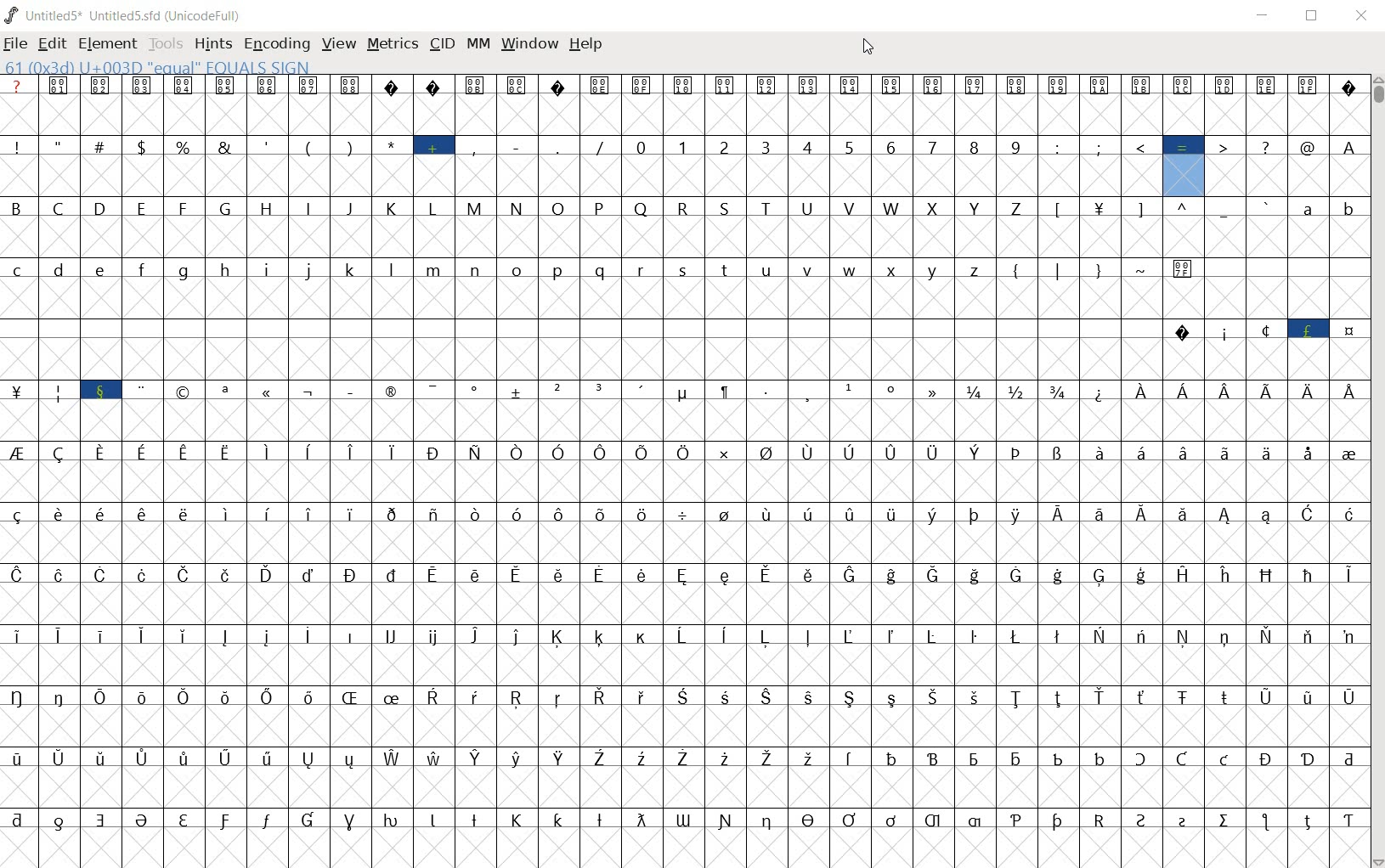 The image size is (1385, 868). I want to click on glyphs, so click(683, 459).